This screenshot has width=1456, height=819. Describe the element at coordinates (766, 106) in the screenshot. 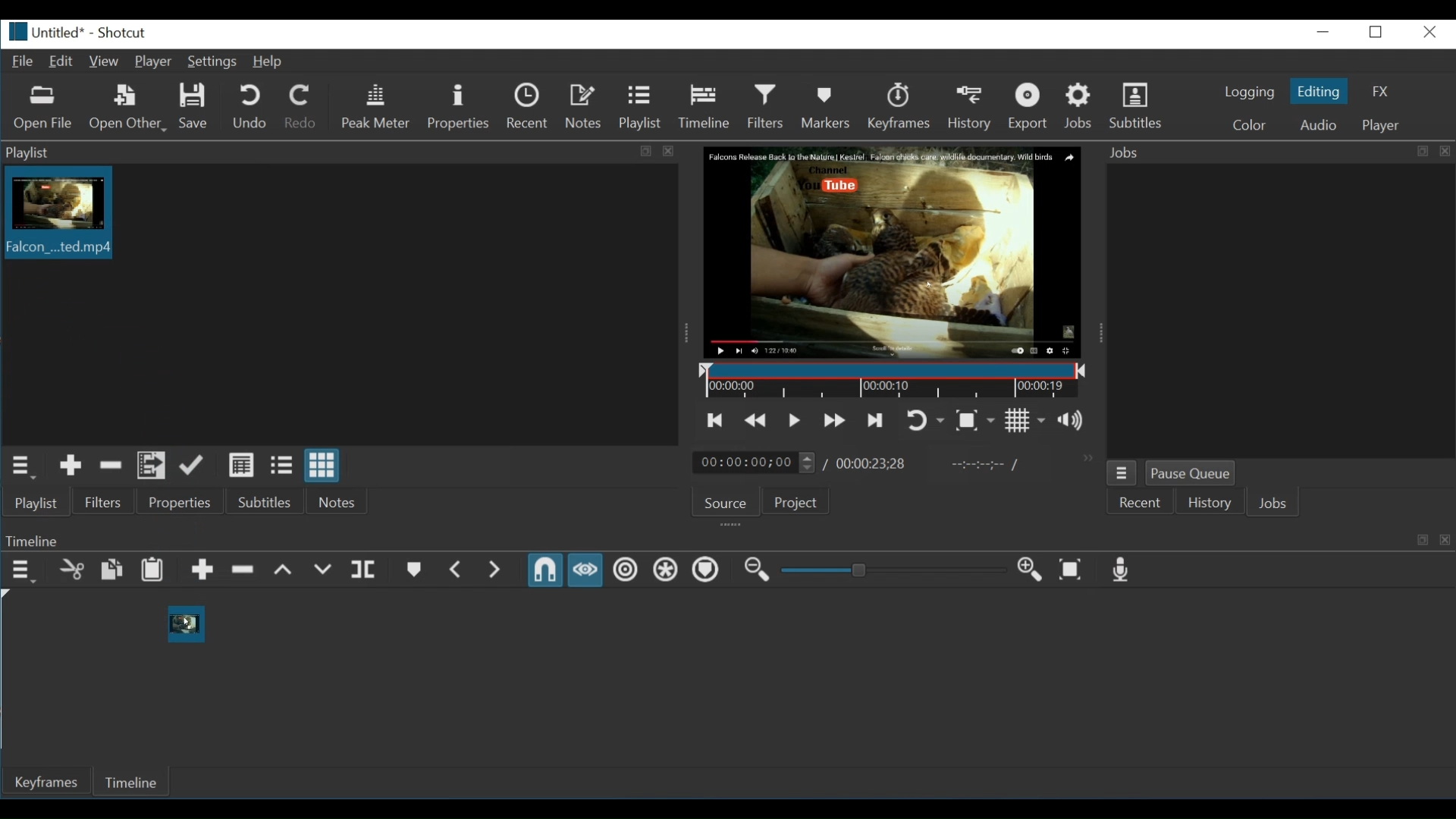

I see `Filters` at that location.